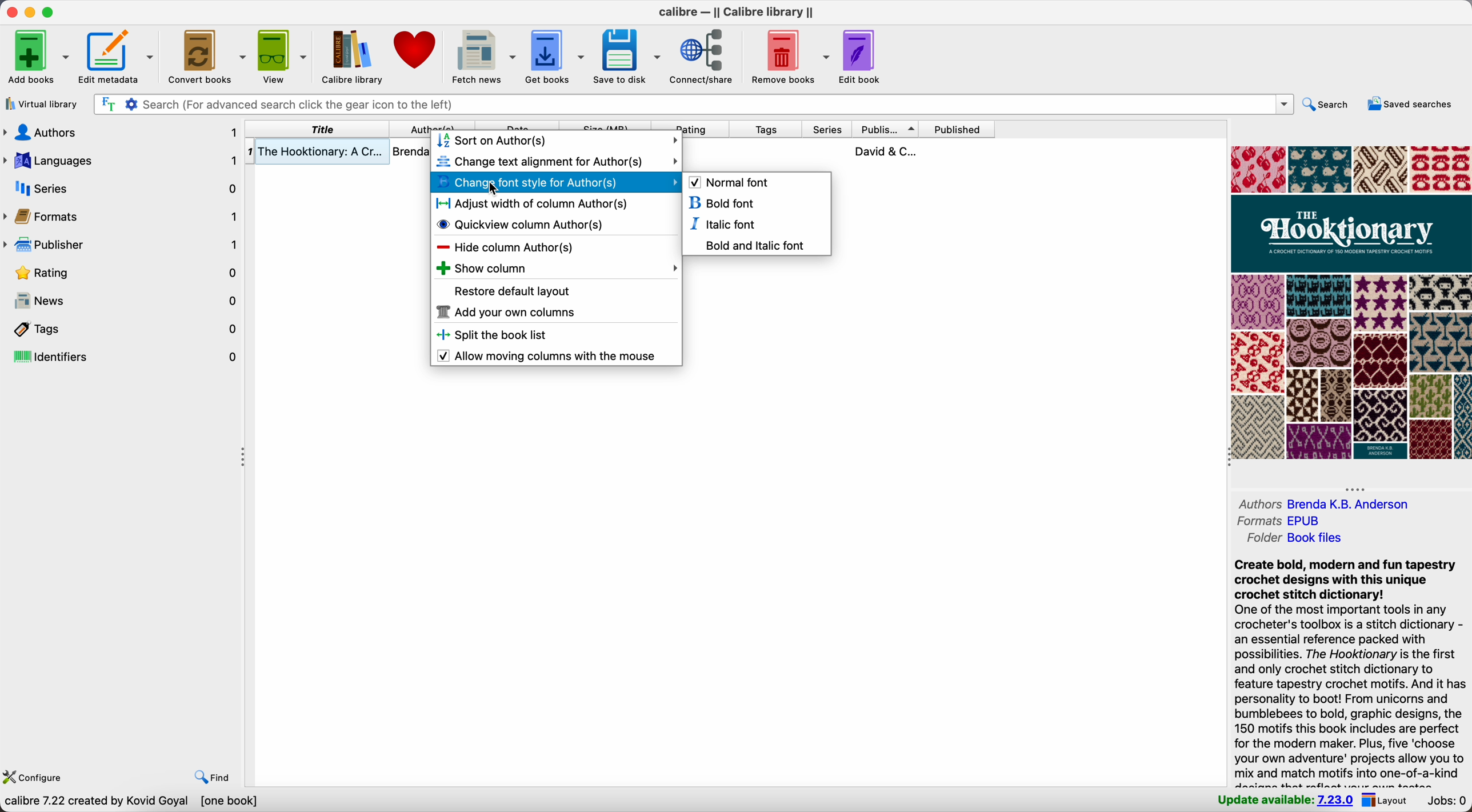 This screenshot has height=812, width=1472. I want to click on configure, so click(39, 778).